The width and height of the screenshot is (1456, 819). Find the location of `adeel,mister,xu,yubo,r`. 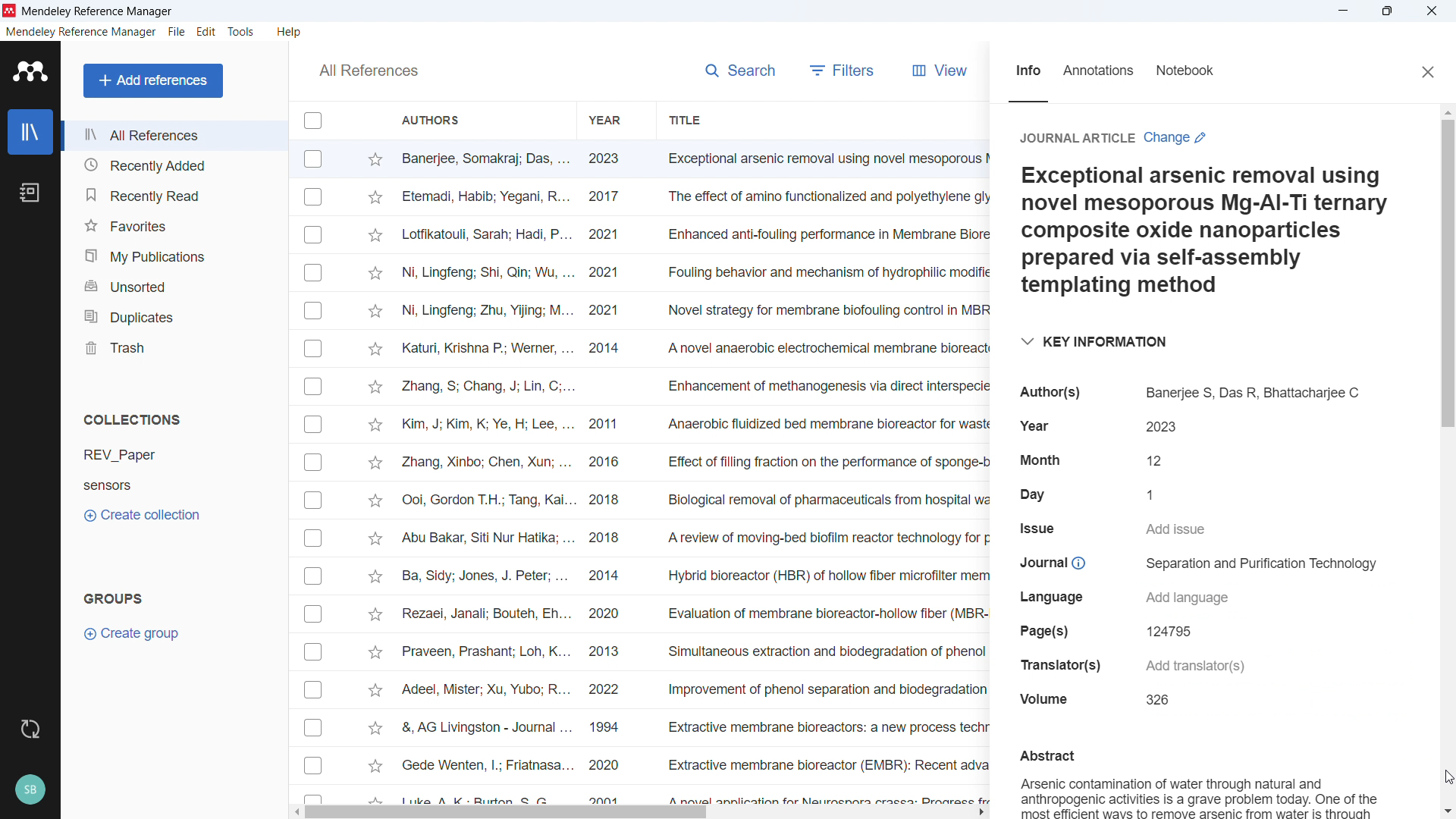

adeel,mister,xu,yubo,r is located at coordinates (485, 690).